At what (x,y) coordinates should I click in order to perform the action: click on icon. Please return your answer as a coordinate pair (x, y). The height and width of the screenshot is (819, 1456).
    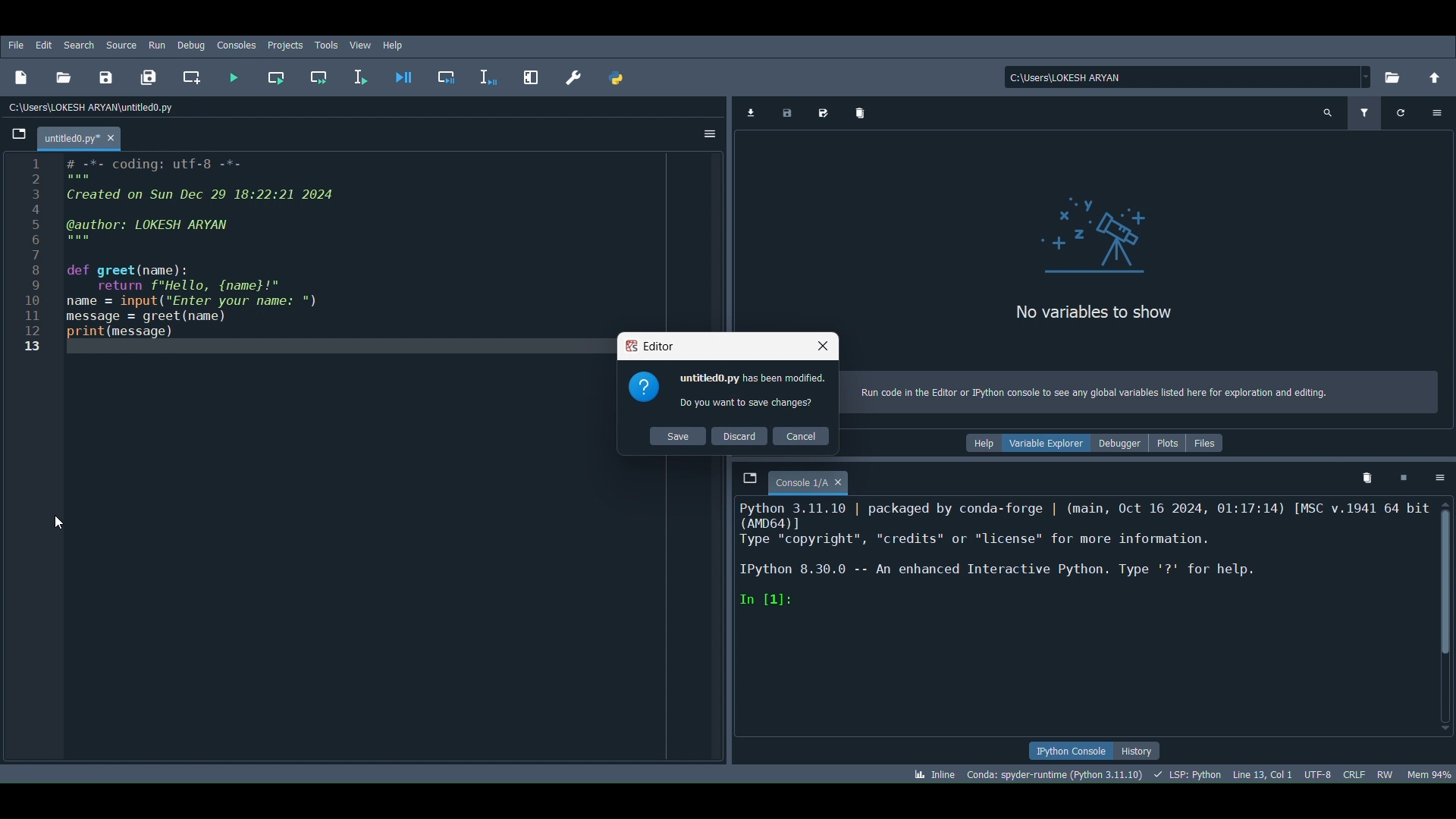
    Looking at the image, I should click on (639, 387).